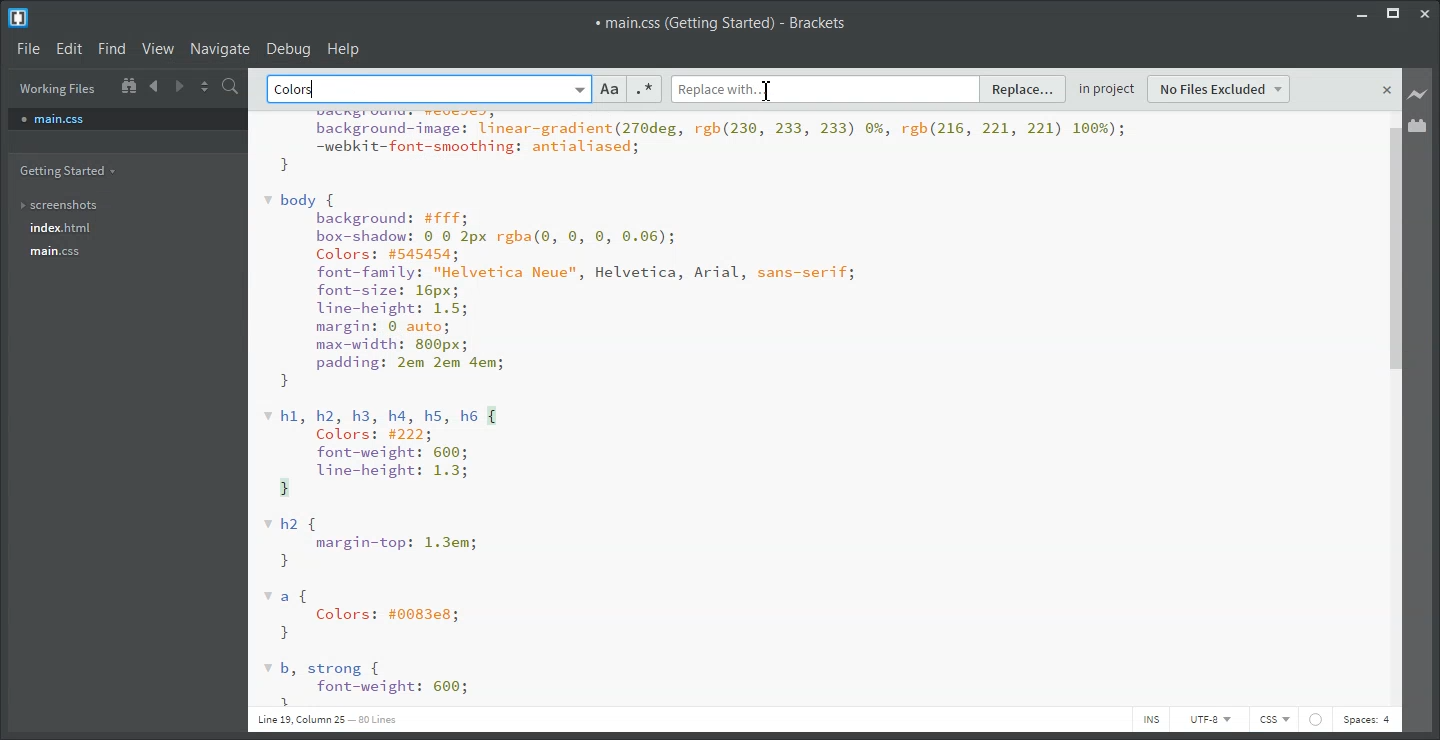  Describe the element at coordinates (737, 125) in the screenshot. I see `` at that location.